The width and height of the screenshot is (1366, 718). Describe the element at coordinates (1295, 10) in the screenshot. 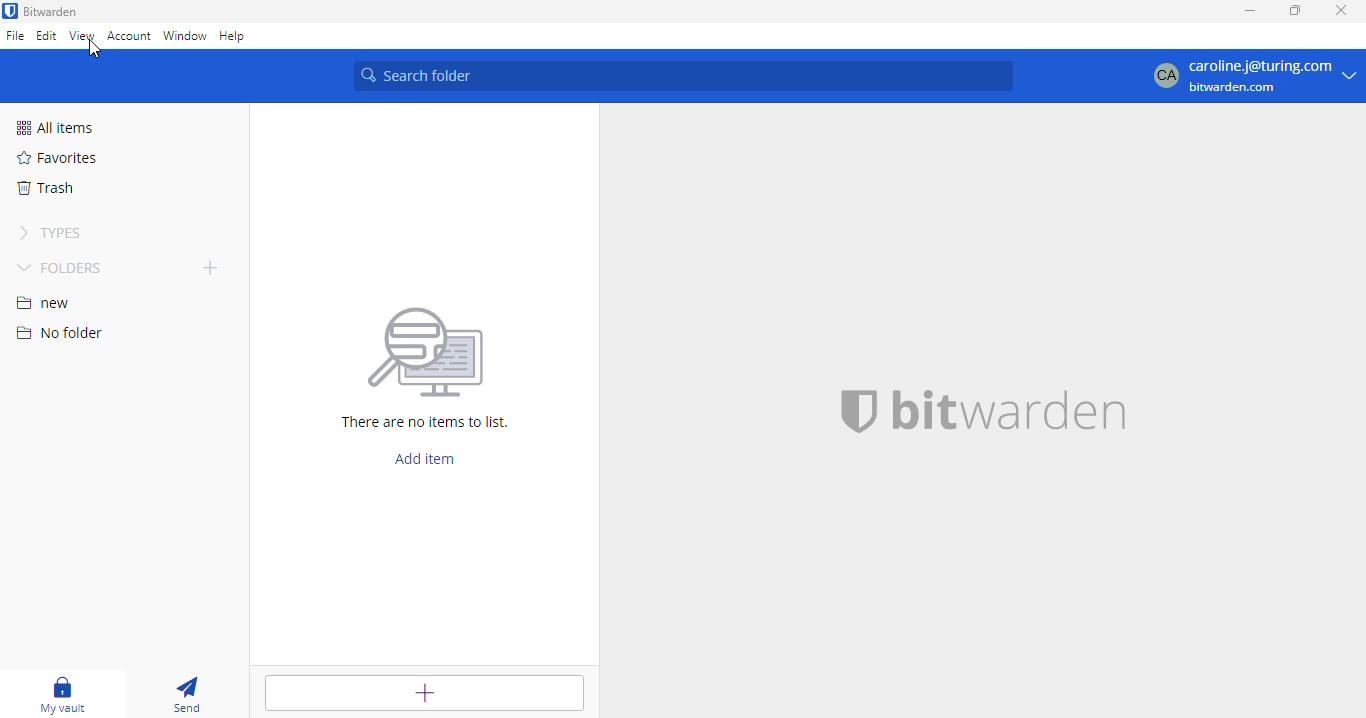

I see `maximize` at that location.